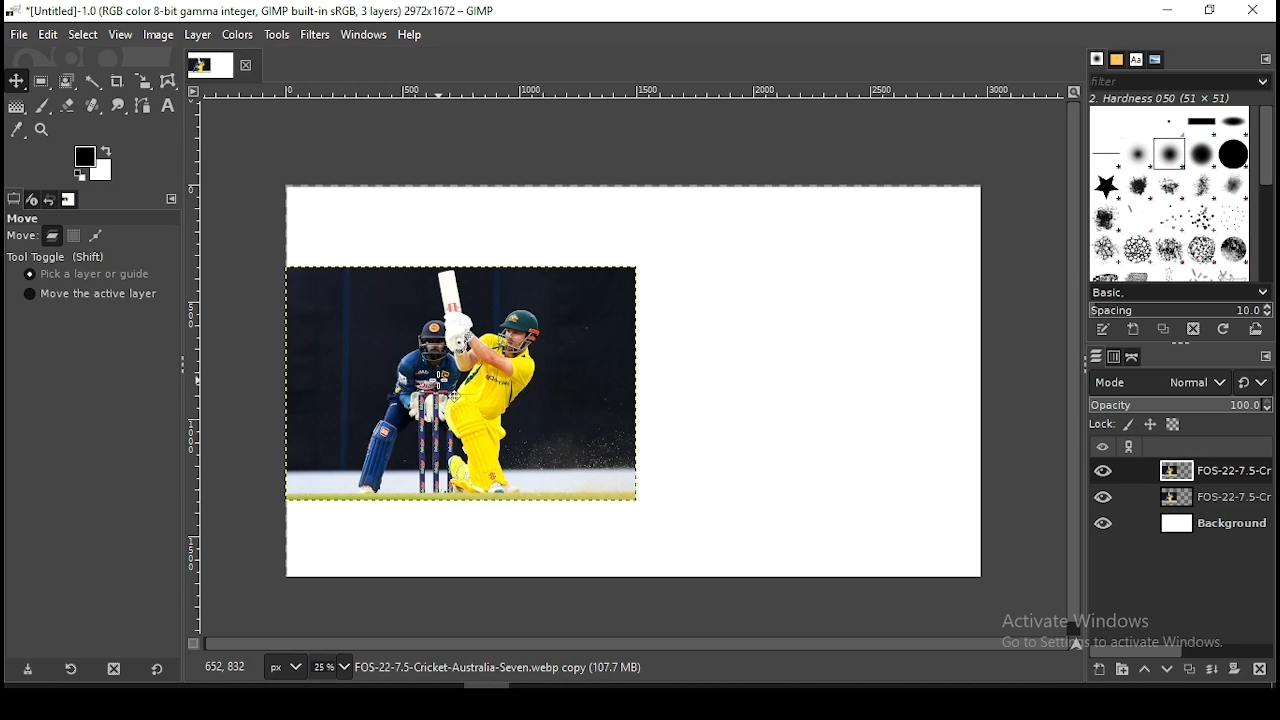 The height and width of the screenshot is (720, 1280). What do you see at coordinates (70, 670) in the screenshot?
I see `restore tool preset` at bounding box center [70, 670].